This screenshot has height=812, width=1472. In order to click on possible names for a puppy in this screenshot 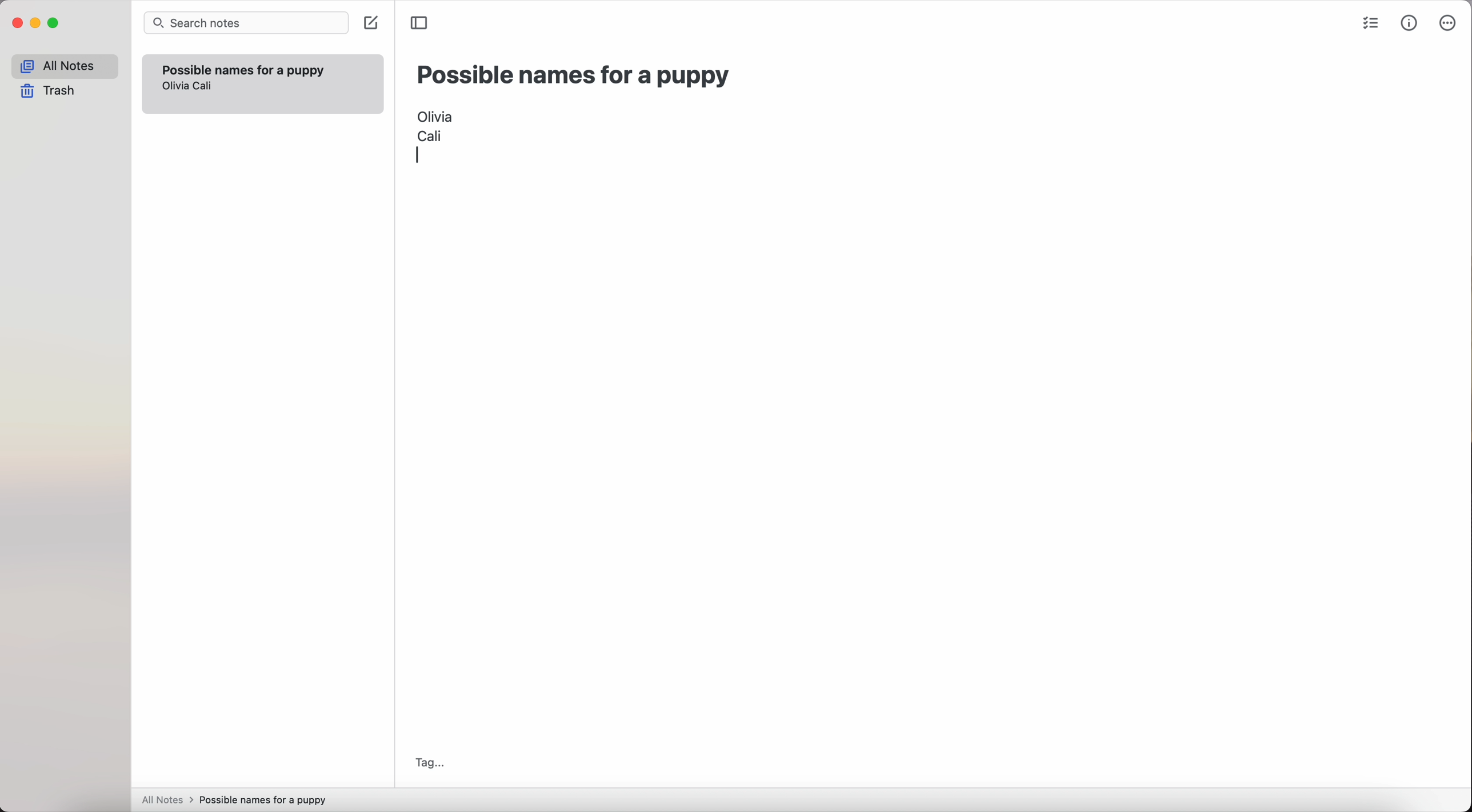, I will do `click(574, 75)`.